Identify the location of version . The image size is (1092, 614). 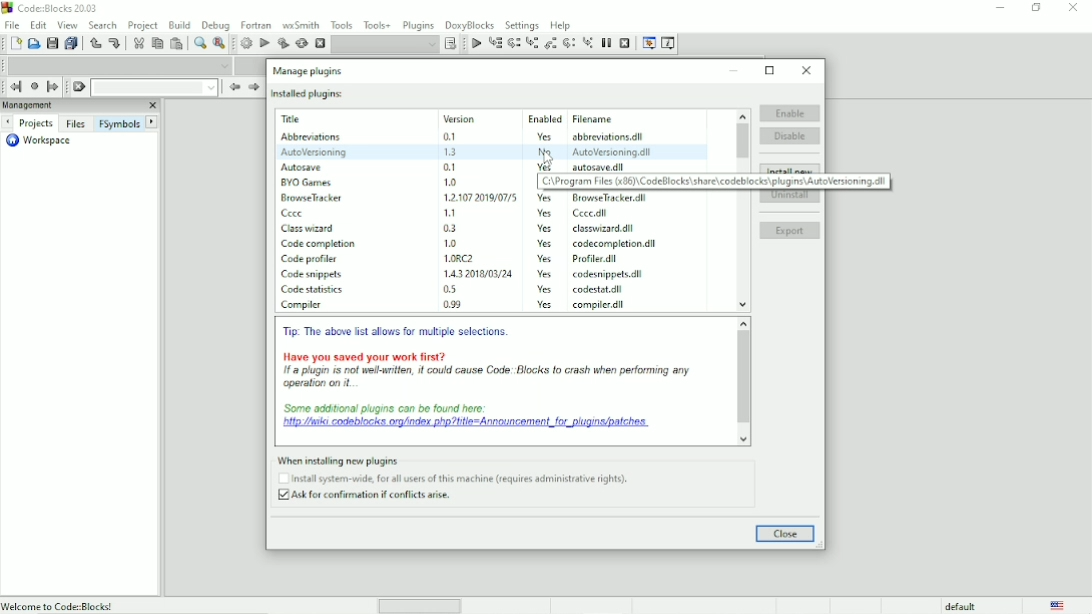
(453, 306).